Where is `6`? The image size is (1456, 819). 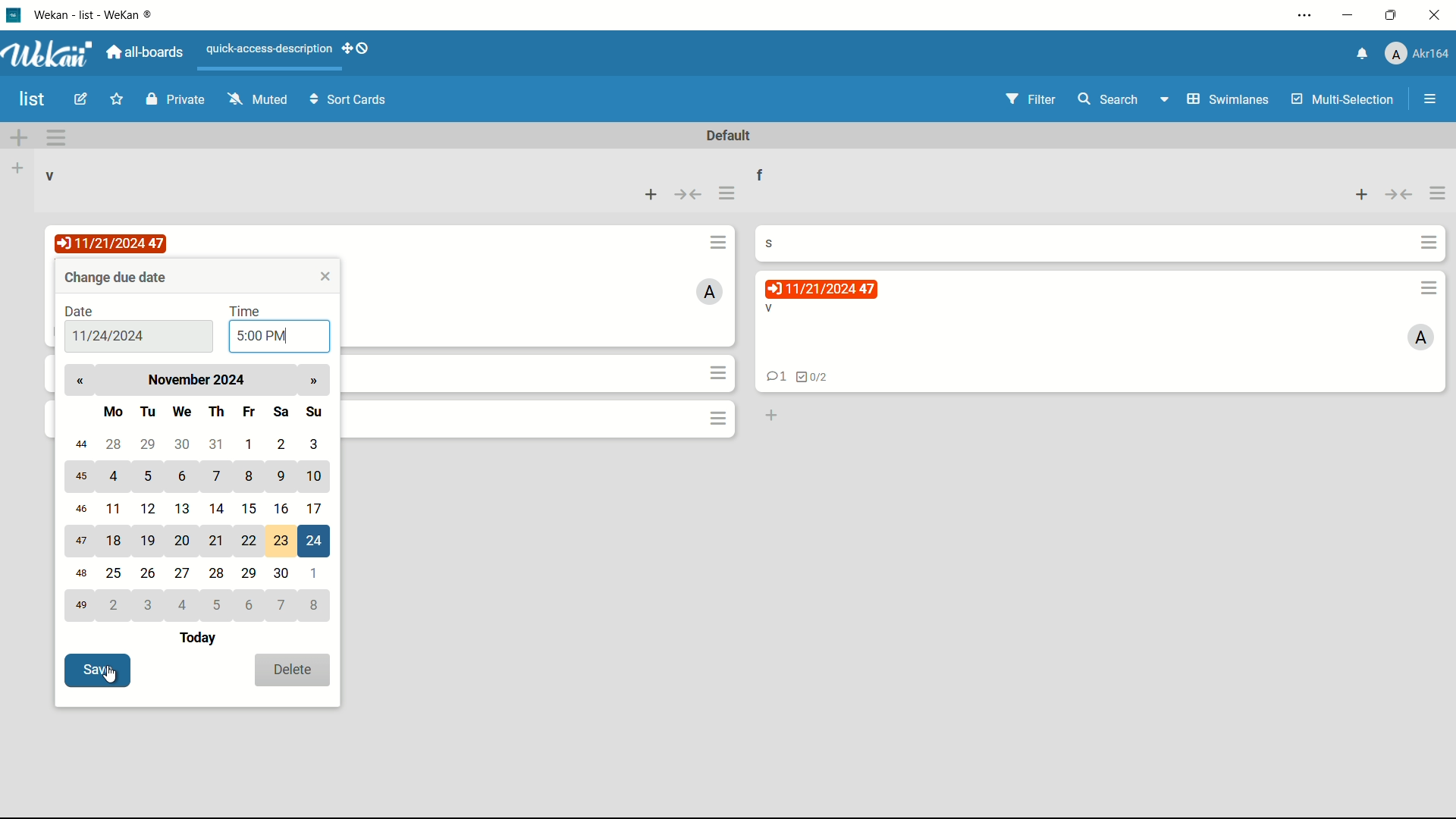
6 is located at coordinates (248, 605).